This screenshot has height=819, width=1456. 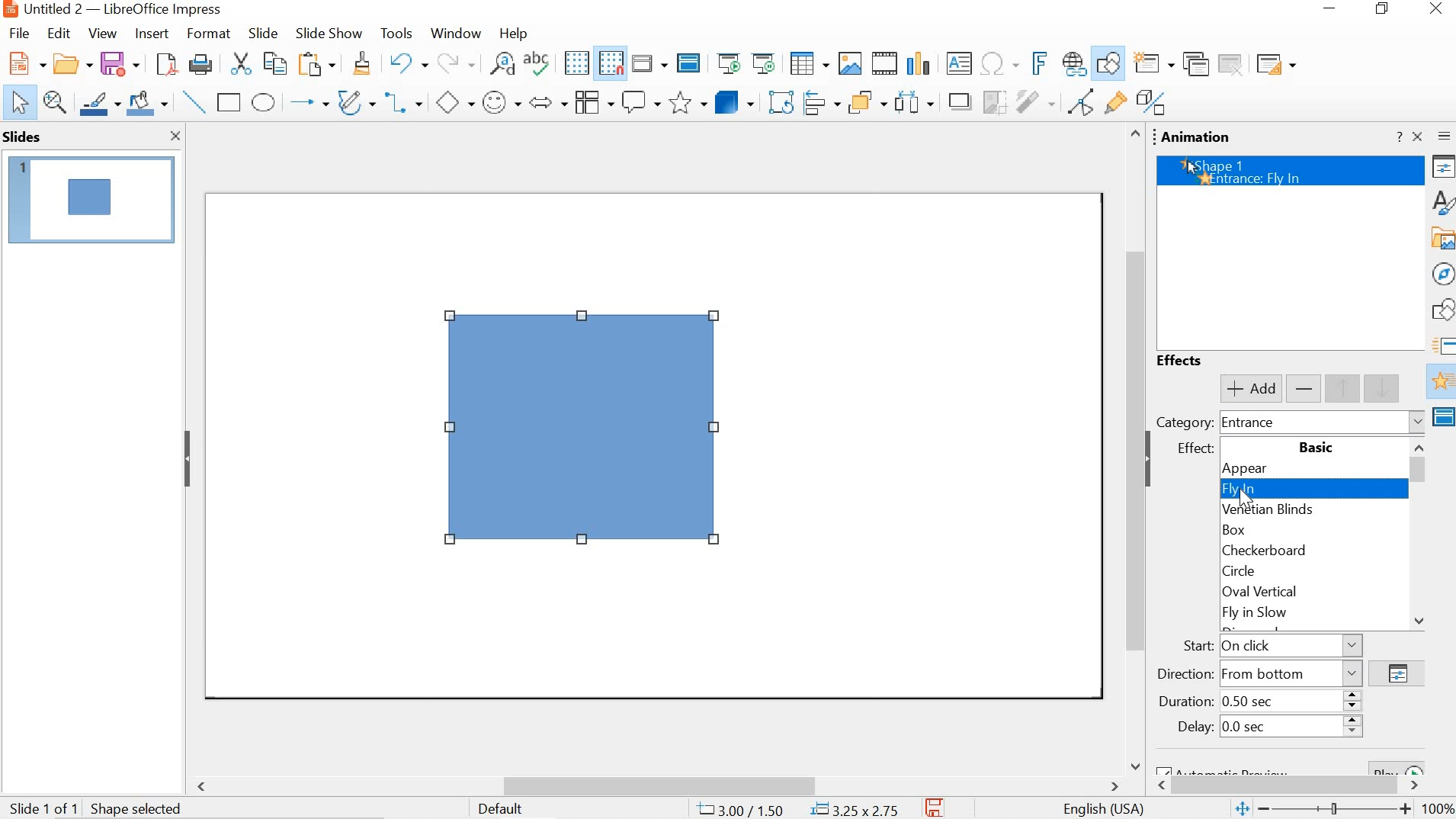 I want to click on slideshow, so click(x=328, y=34).